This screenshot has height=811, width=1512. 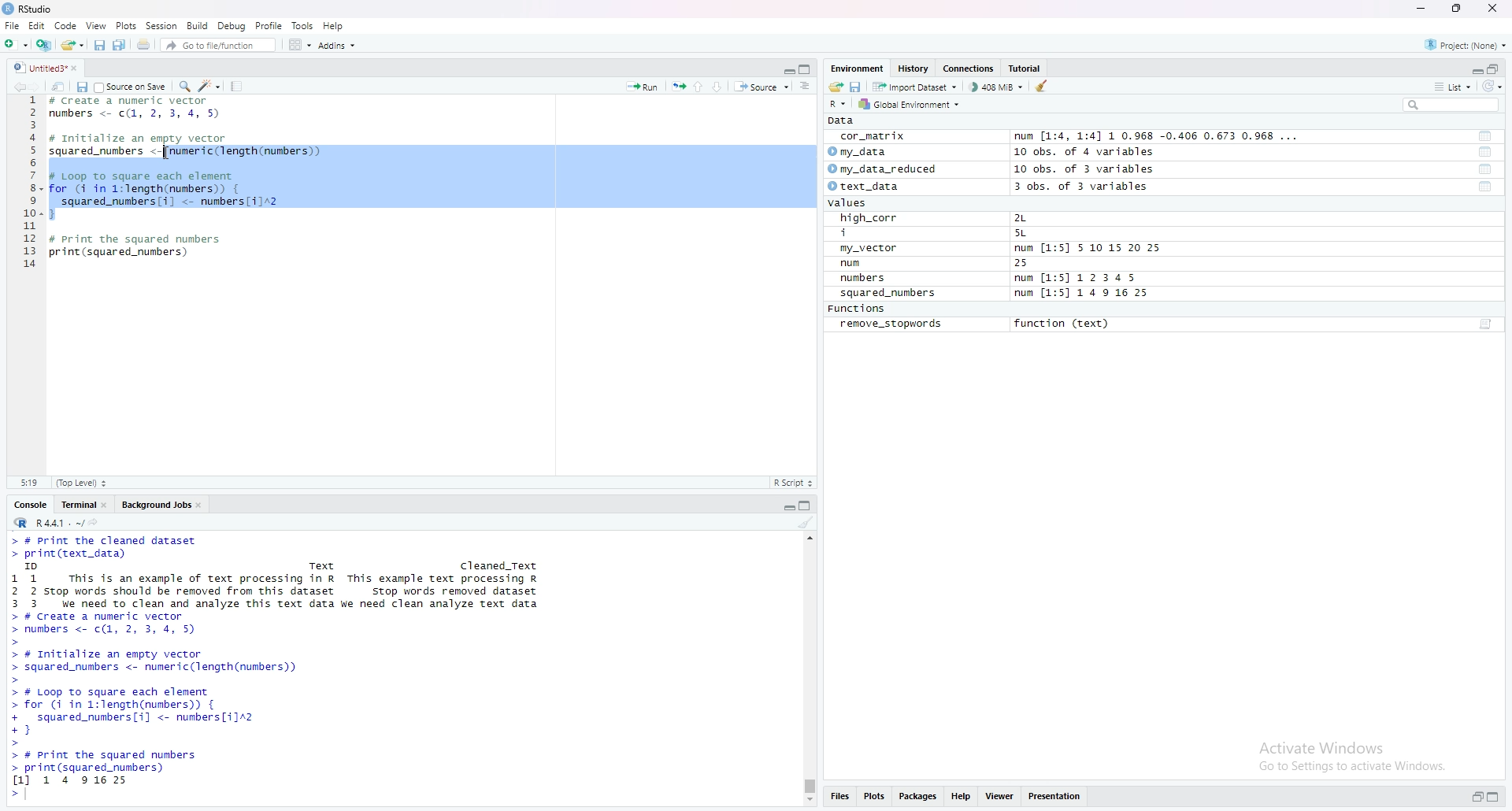 I want to click on move backward, so click(x=19, y=85).